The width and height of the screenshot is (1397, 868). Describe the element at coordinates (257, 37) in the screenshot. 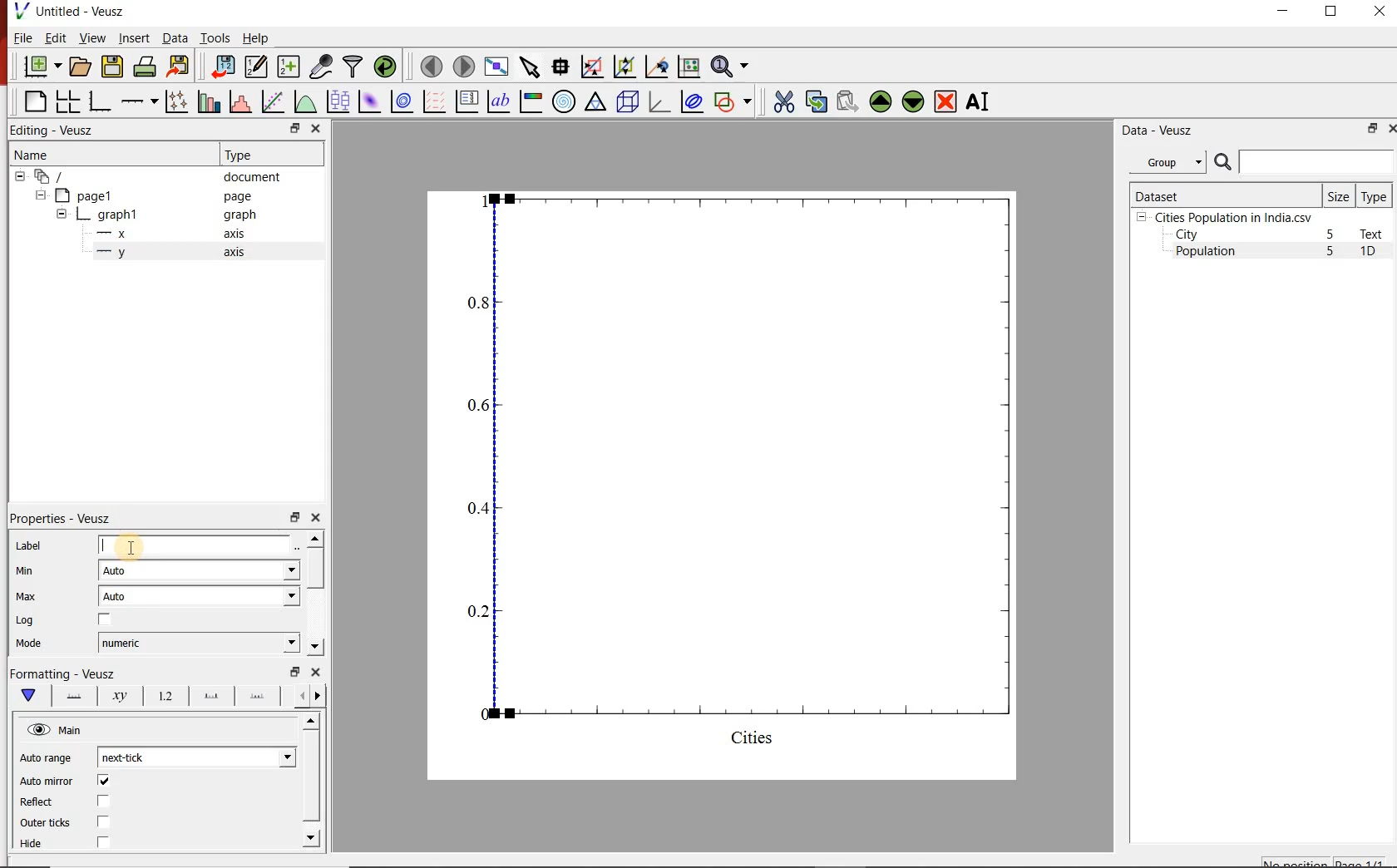

I see `Help` at that location.